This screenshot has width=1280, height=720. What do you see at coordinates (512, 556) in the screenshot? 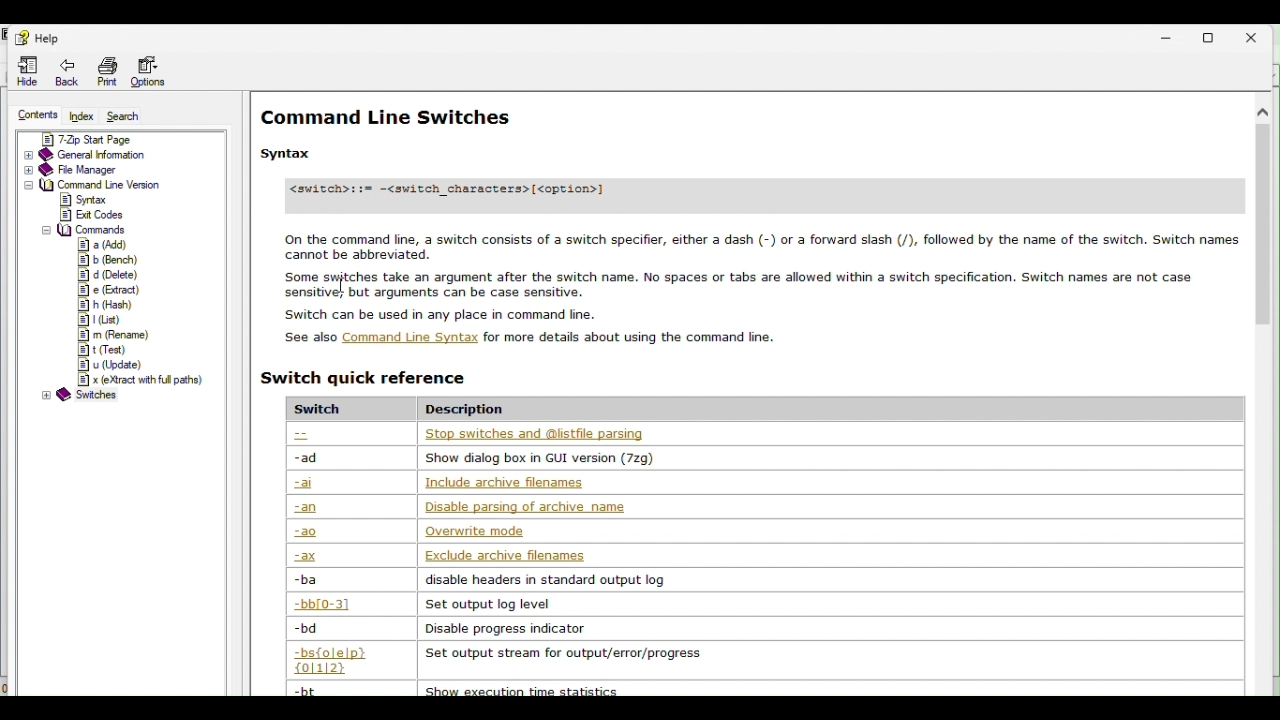
I see `output log` at bounding box center [512, 556].